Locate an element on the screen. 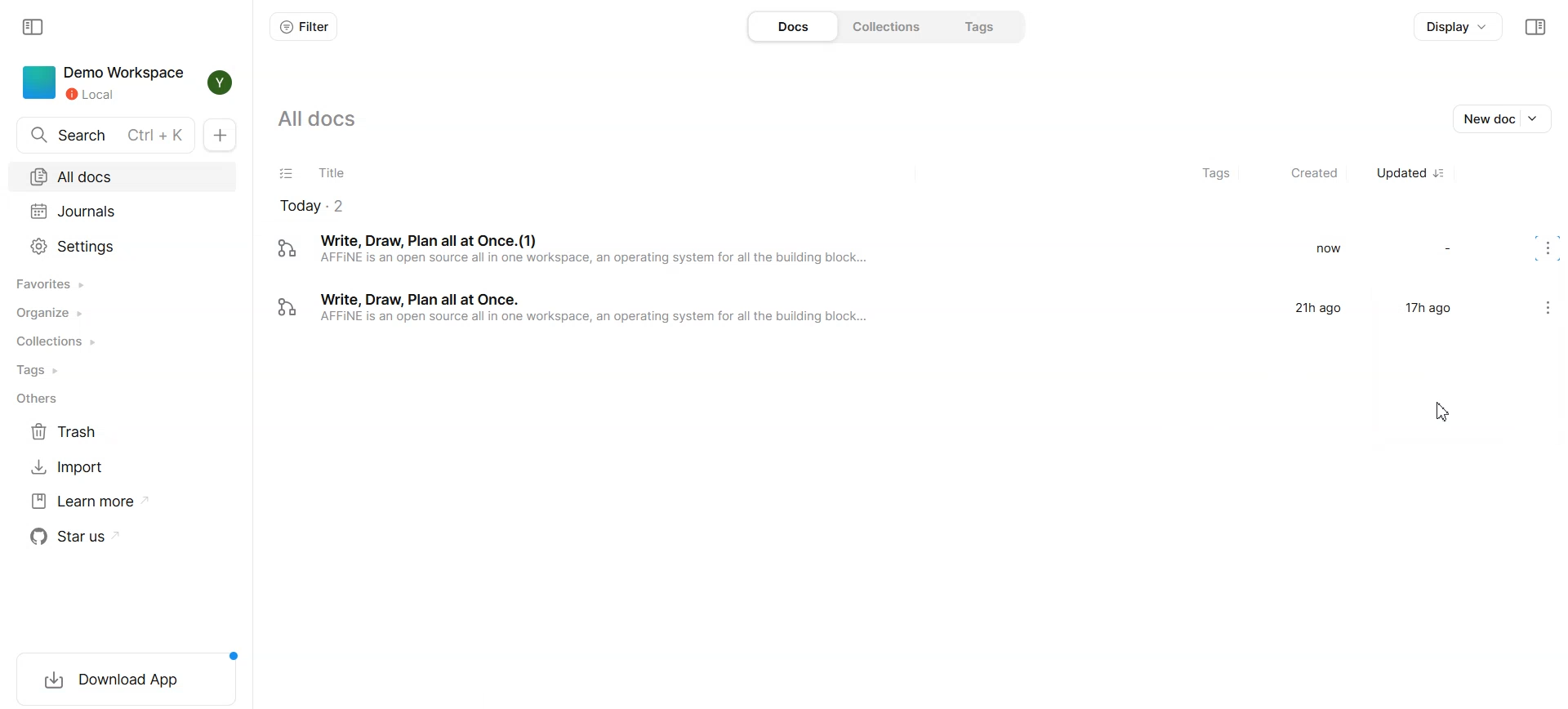 The width and height of the screenshot is (1568, 709). Journals is located at coordinates (85, 210).